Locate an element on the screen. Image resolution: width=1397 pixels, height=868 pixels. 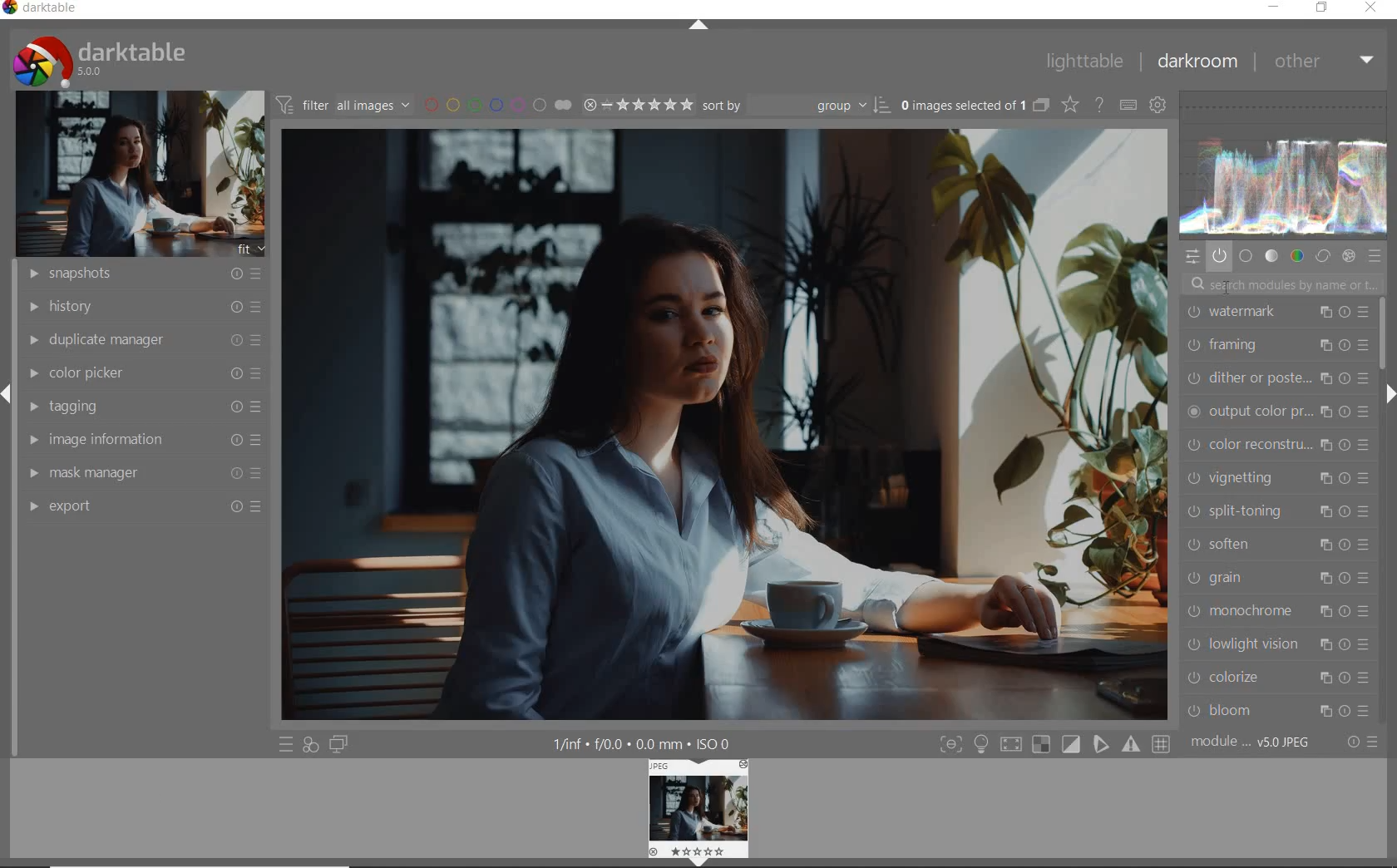
quick access panel is located at coordinates (1194, 258).